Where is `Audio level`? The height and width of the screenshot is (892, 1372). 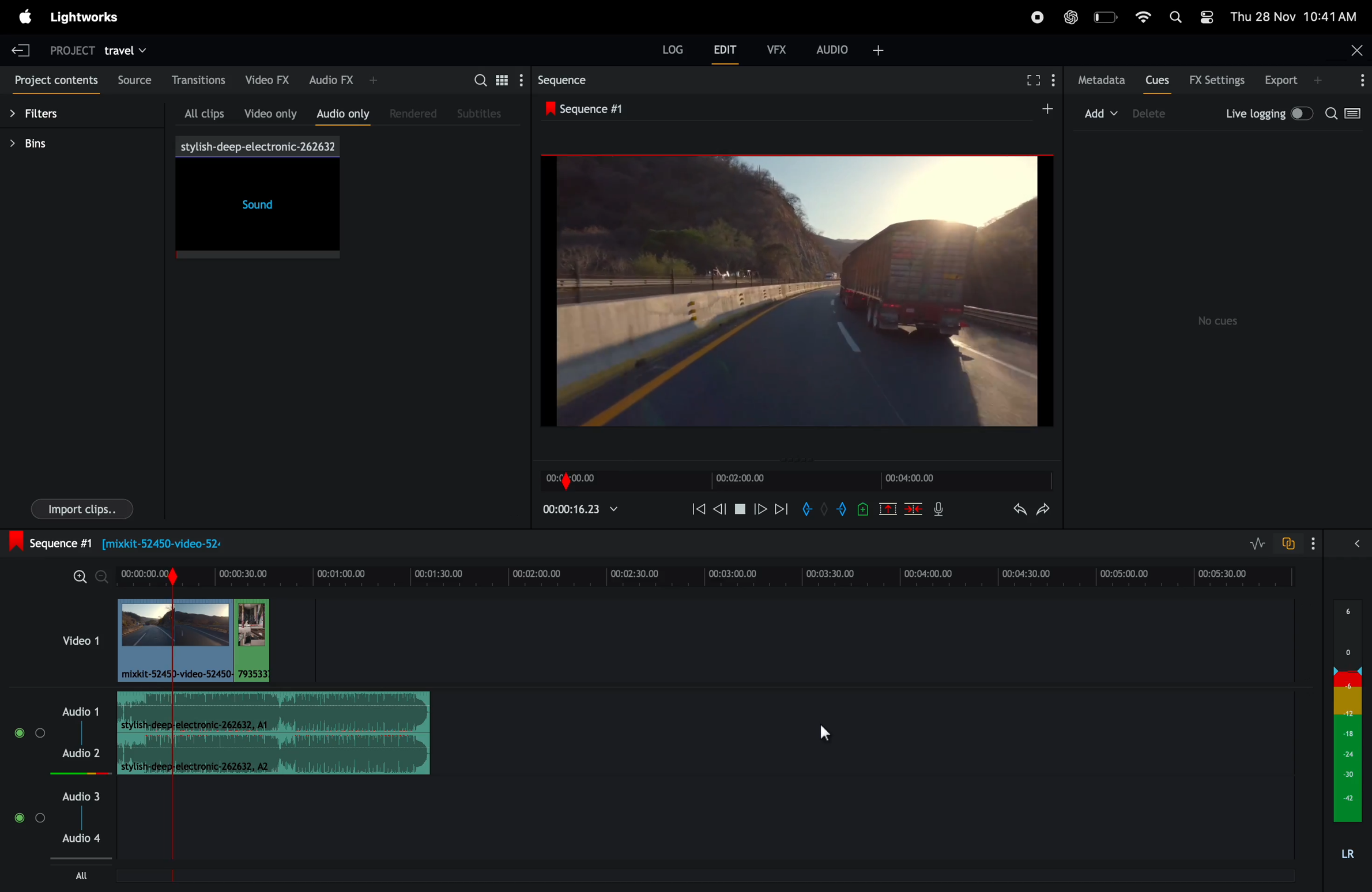
Audio level is located at coordinates (71, 772).